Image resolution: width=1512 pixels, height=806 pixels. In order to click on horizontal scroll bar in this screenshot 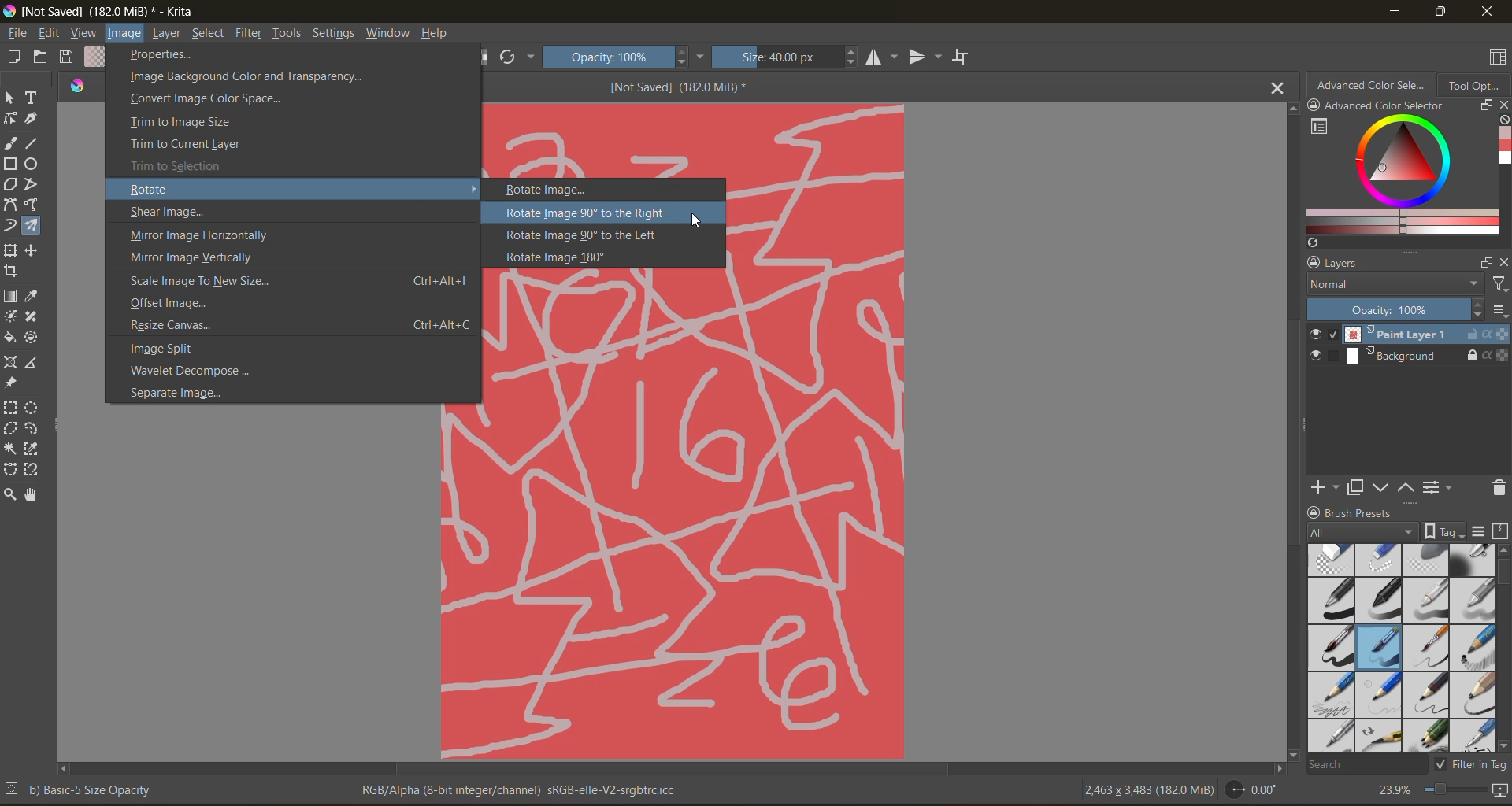, I will do `click(676, 770)`.